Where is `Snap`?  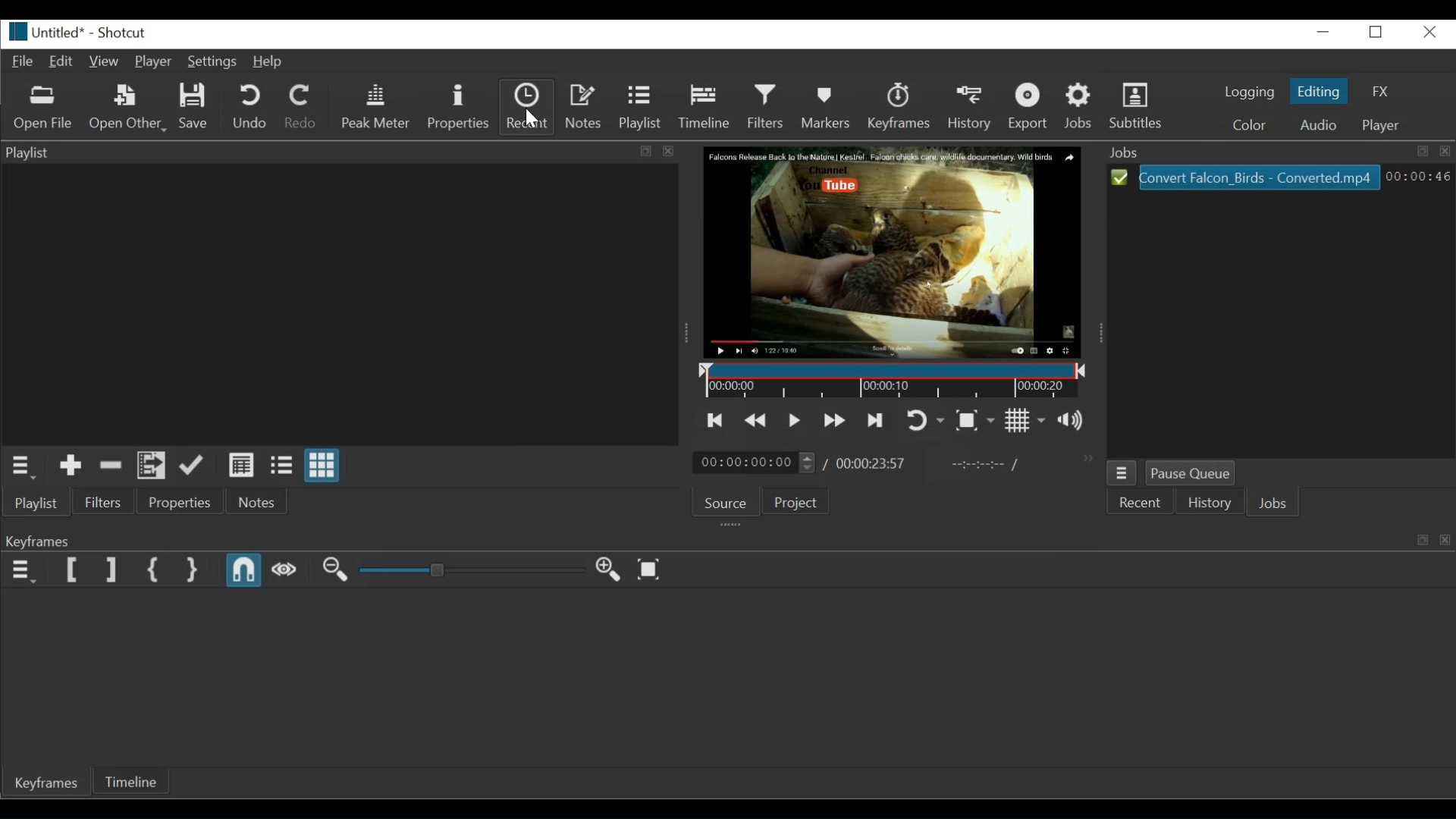 Snap is located at coordinates (243, 571).